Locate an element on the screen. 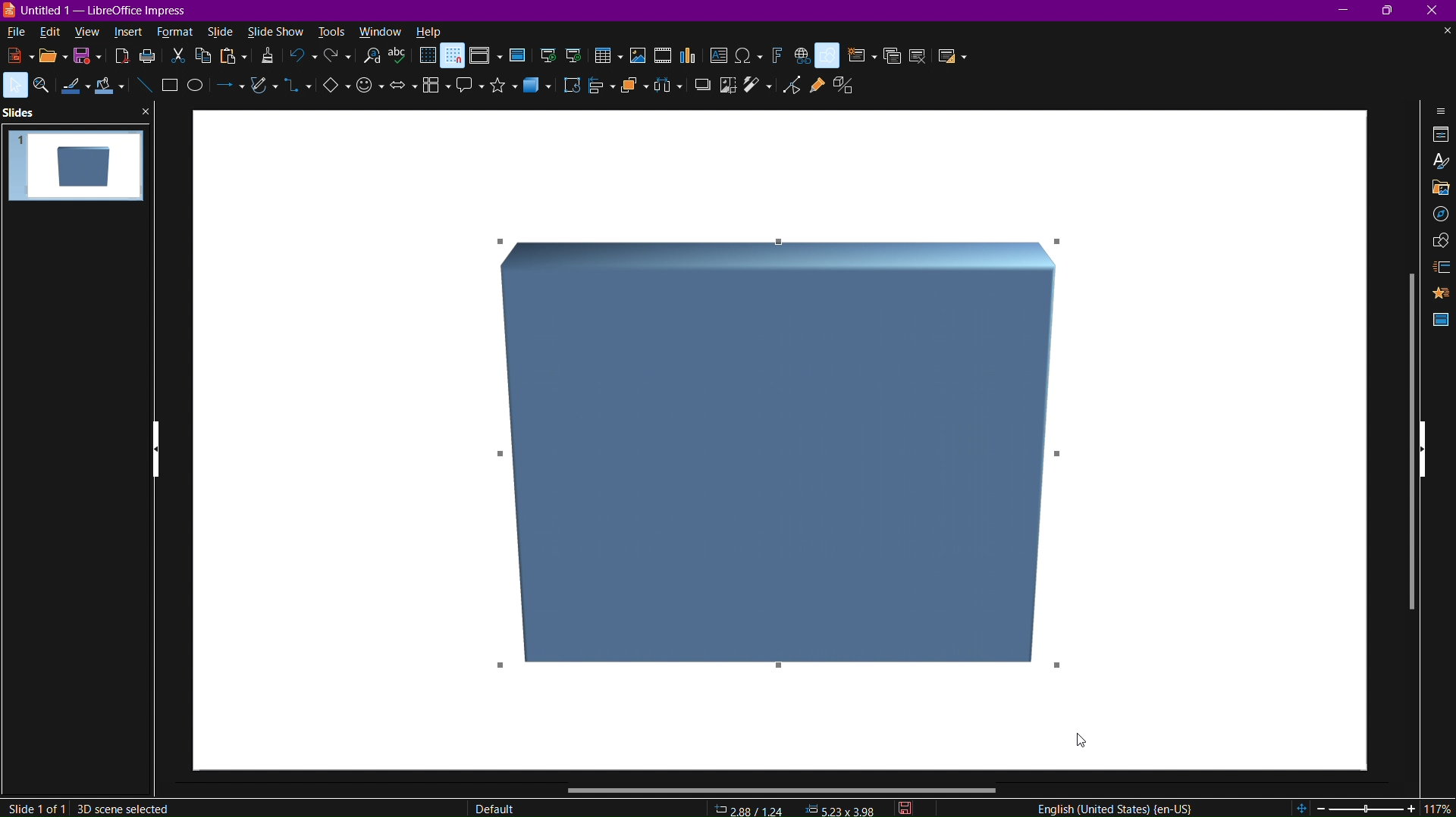 The height and width of the screenshot is (817, 1456). Master Slide is located at coordinates (516, 57).